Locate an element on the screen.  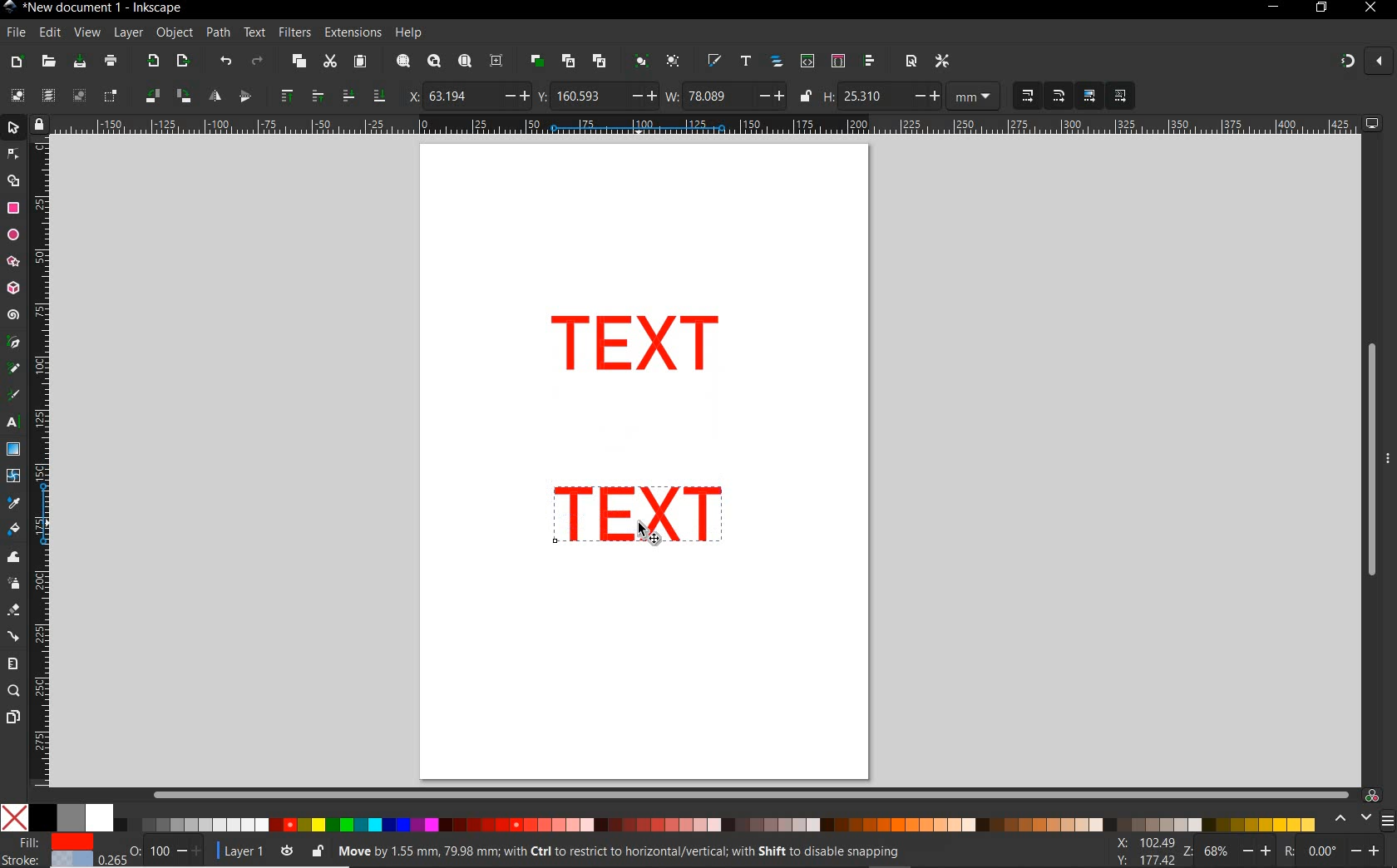
open file dialog is located at coordinates (50, 61).